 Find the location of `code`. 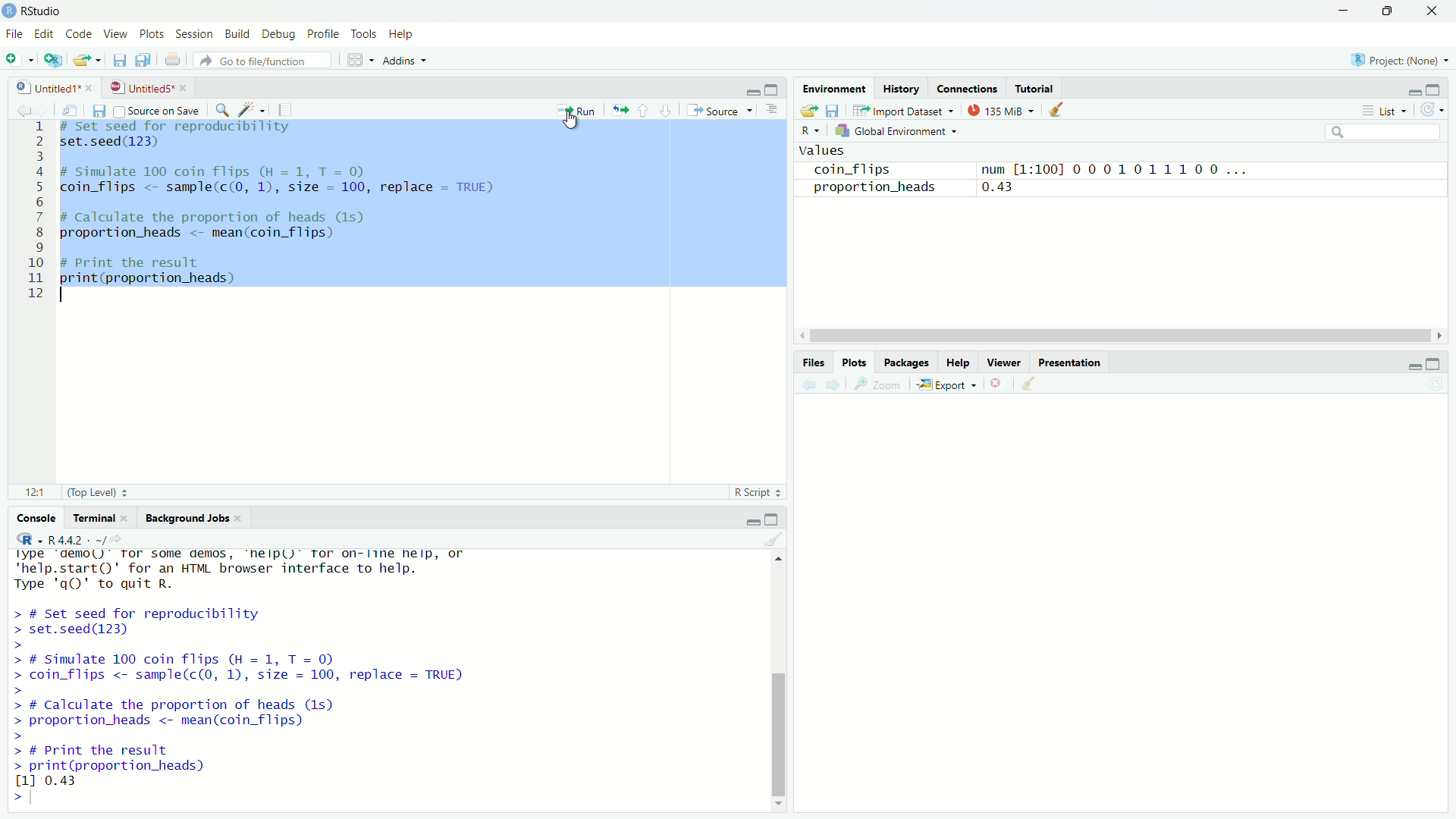

code is located at coordinates (80, 33).